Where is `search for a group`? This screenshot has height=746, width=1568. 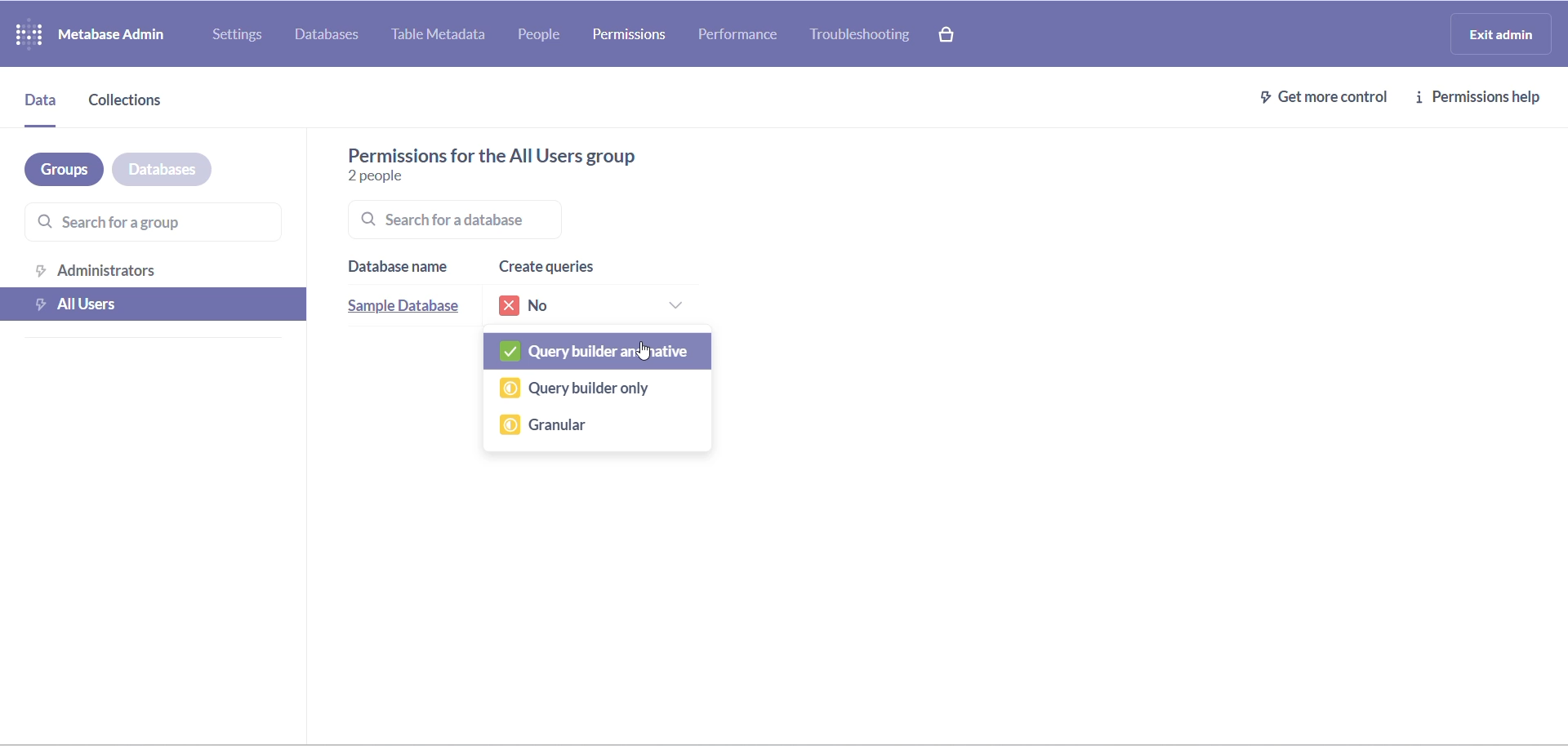 search for a group is located at coordinates (144, 220).